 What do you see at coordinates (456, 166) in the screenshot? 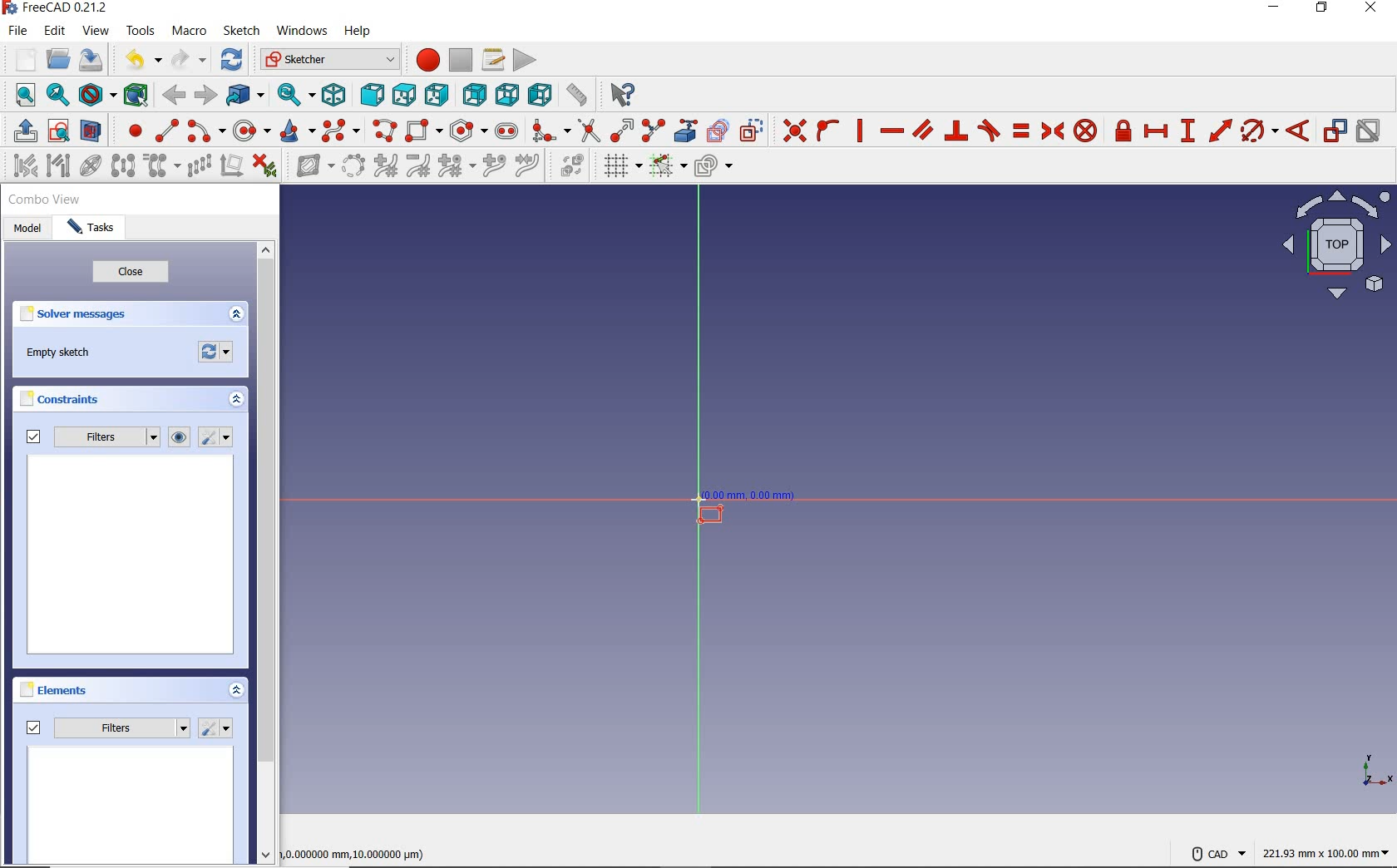
I see `modify knot multiplicity` at bounding box center [456, 166].